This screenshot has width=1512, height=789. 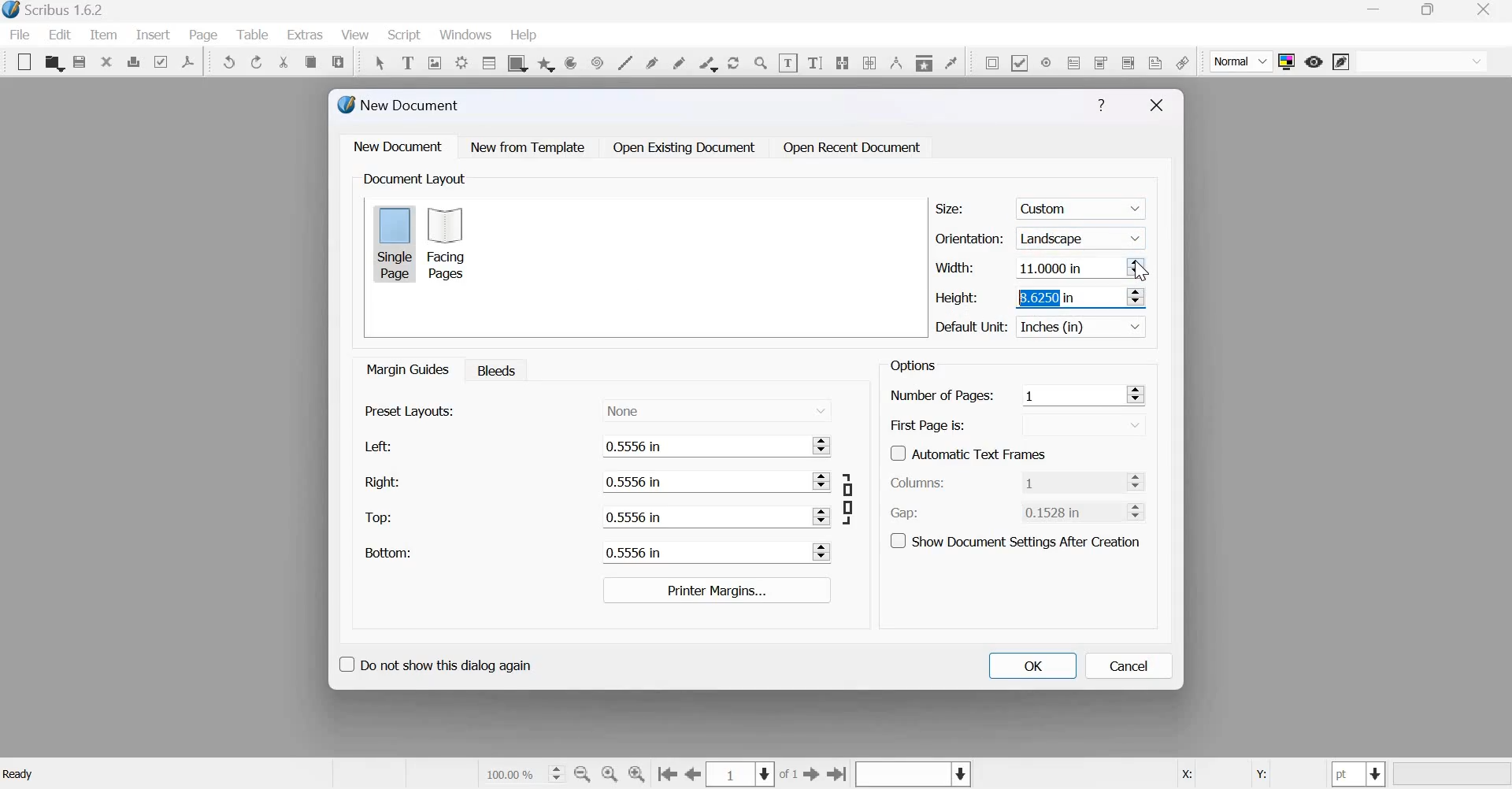 I want to click on Eye dropper, so click(x=951, y=61).